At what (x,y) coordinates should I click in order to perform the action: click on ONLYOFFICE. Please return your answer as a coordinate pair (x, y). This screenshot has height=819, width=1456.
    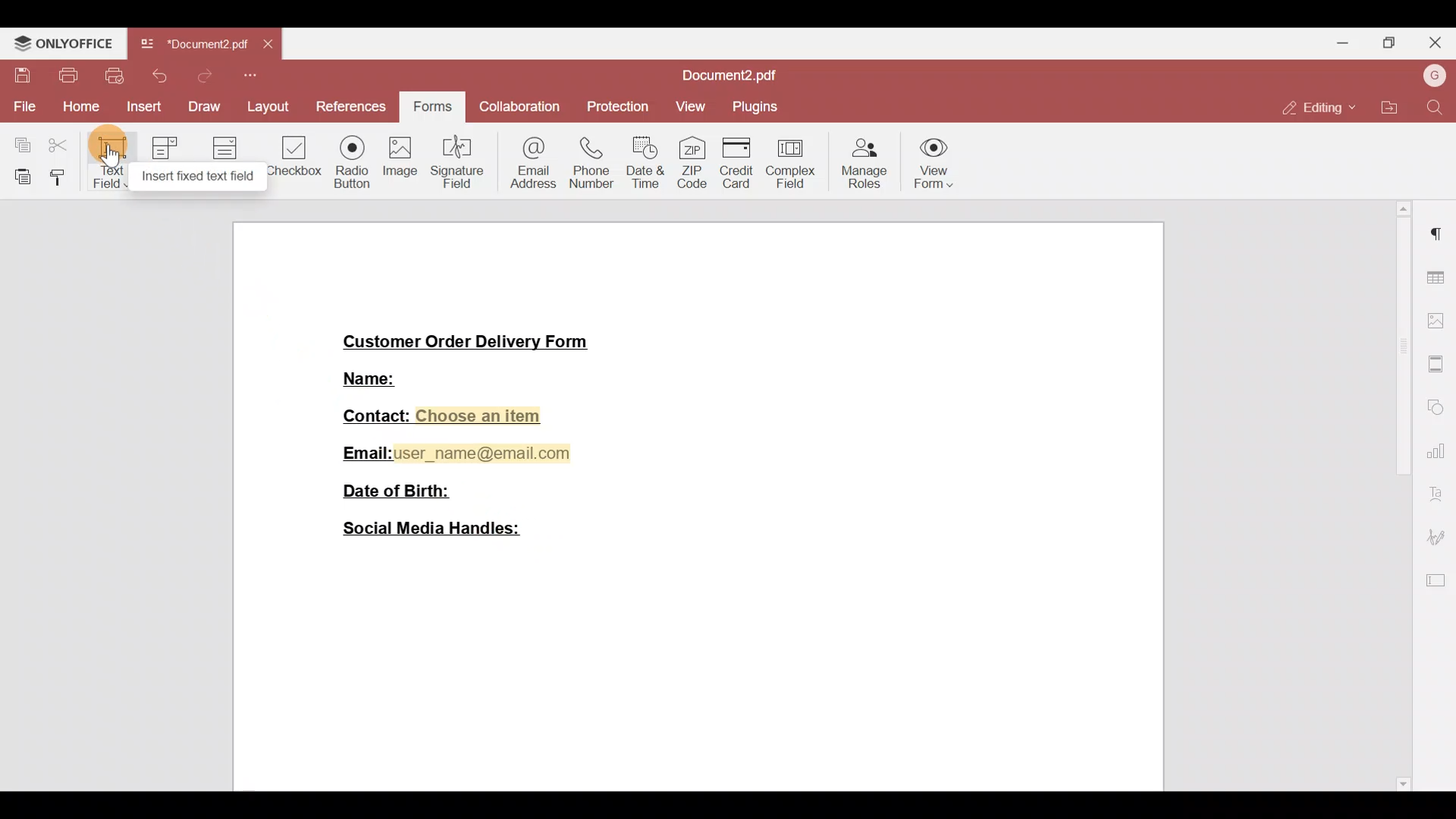
    Looking at the image, I should click on (64, 42).